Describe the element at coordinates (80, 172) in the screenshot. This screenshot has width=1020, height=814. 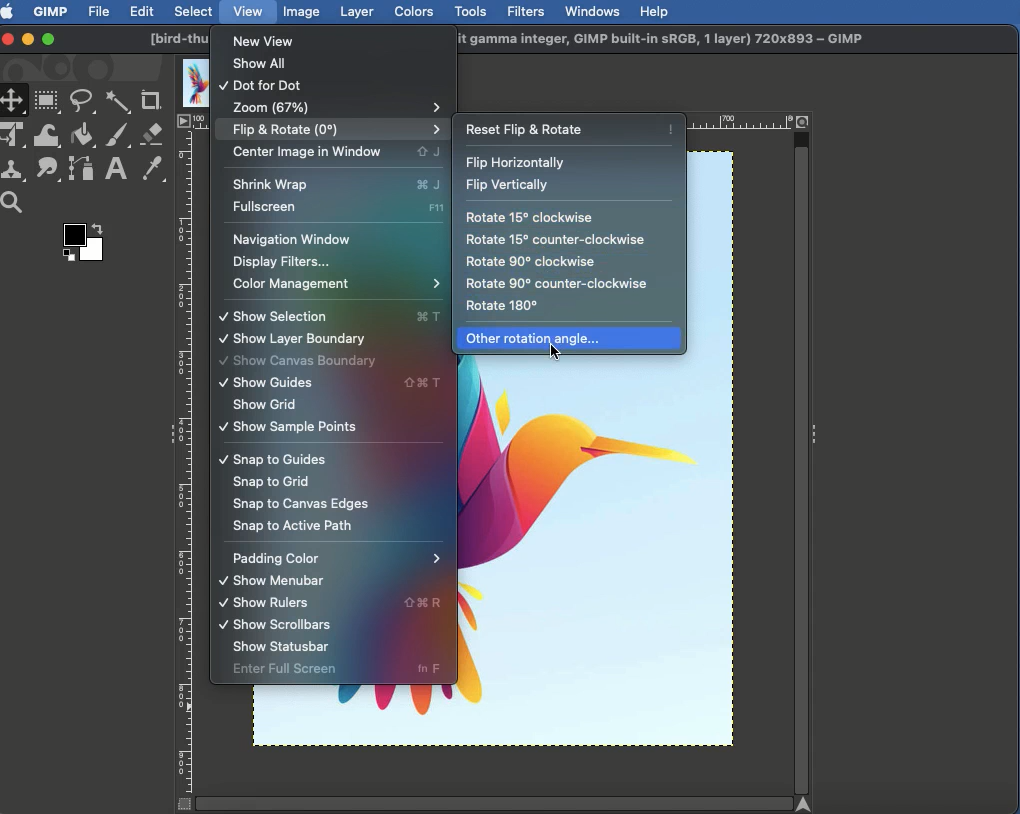
I see `Paths` at that location.